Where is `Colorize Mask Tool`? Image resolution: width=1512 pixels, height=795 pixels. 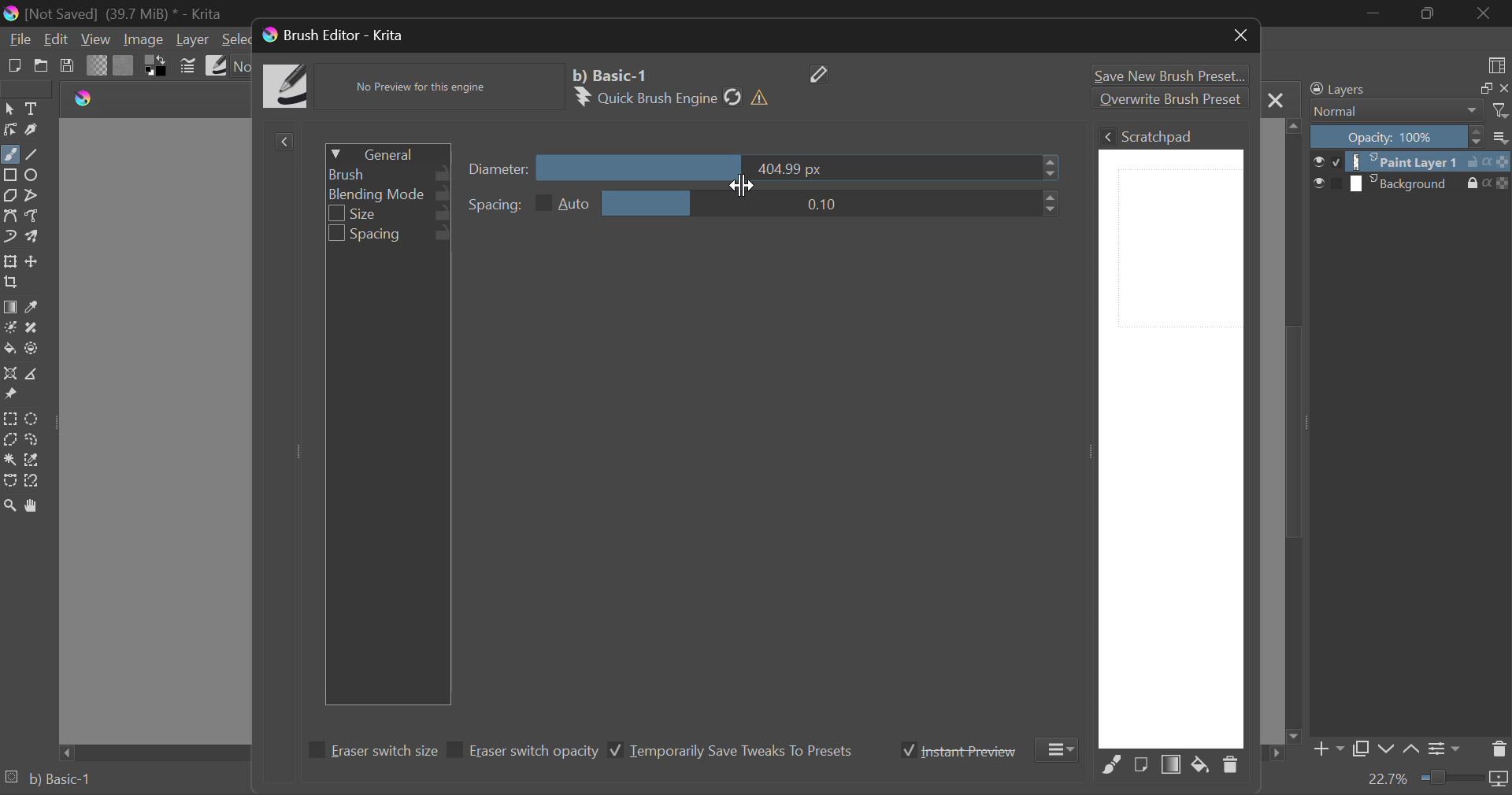
Colorize Mask Tool is located at coordinates (9, 328).